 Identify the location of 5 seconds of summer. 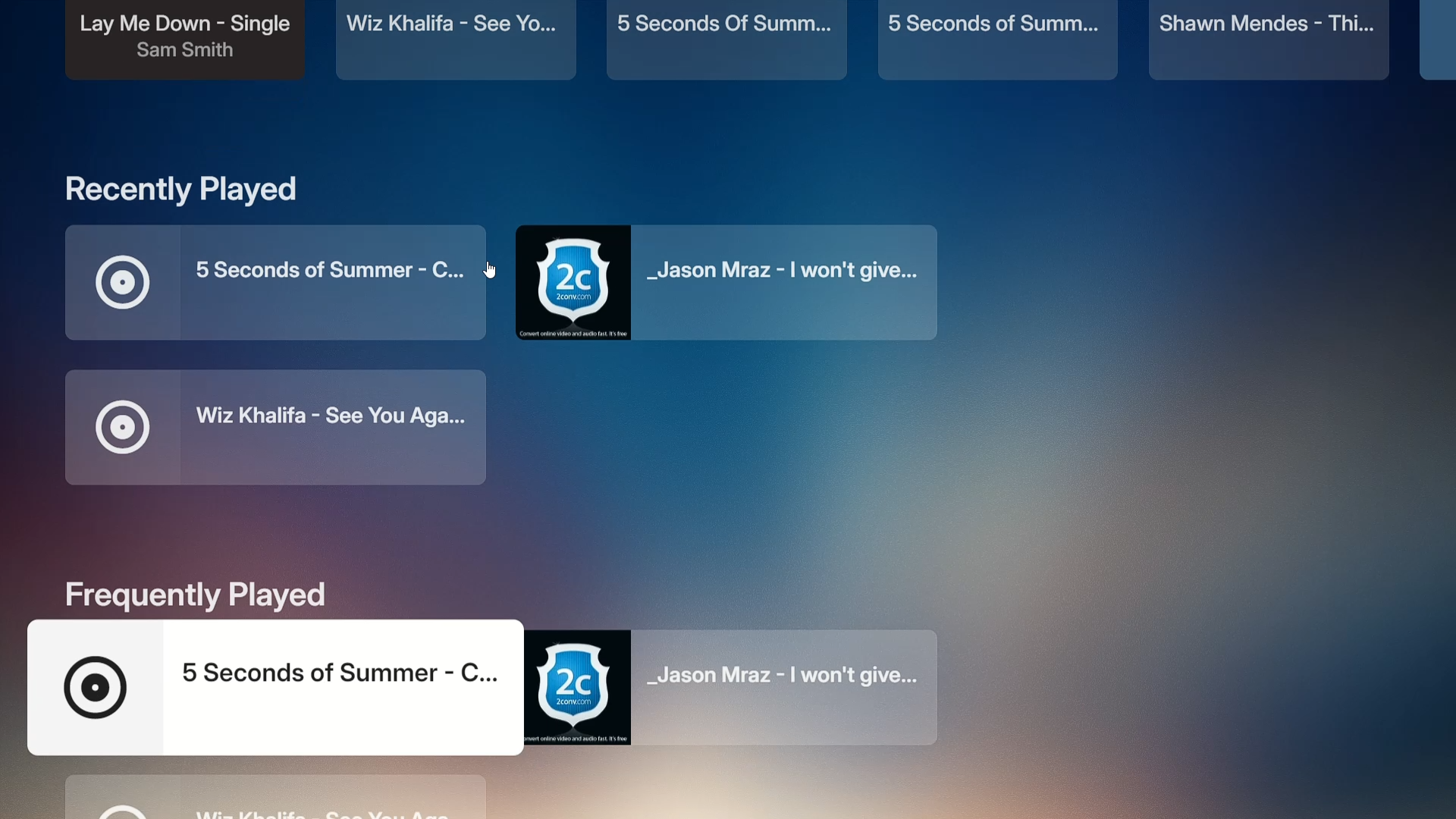
(730, 42).